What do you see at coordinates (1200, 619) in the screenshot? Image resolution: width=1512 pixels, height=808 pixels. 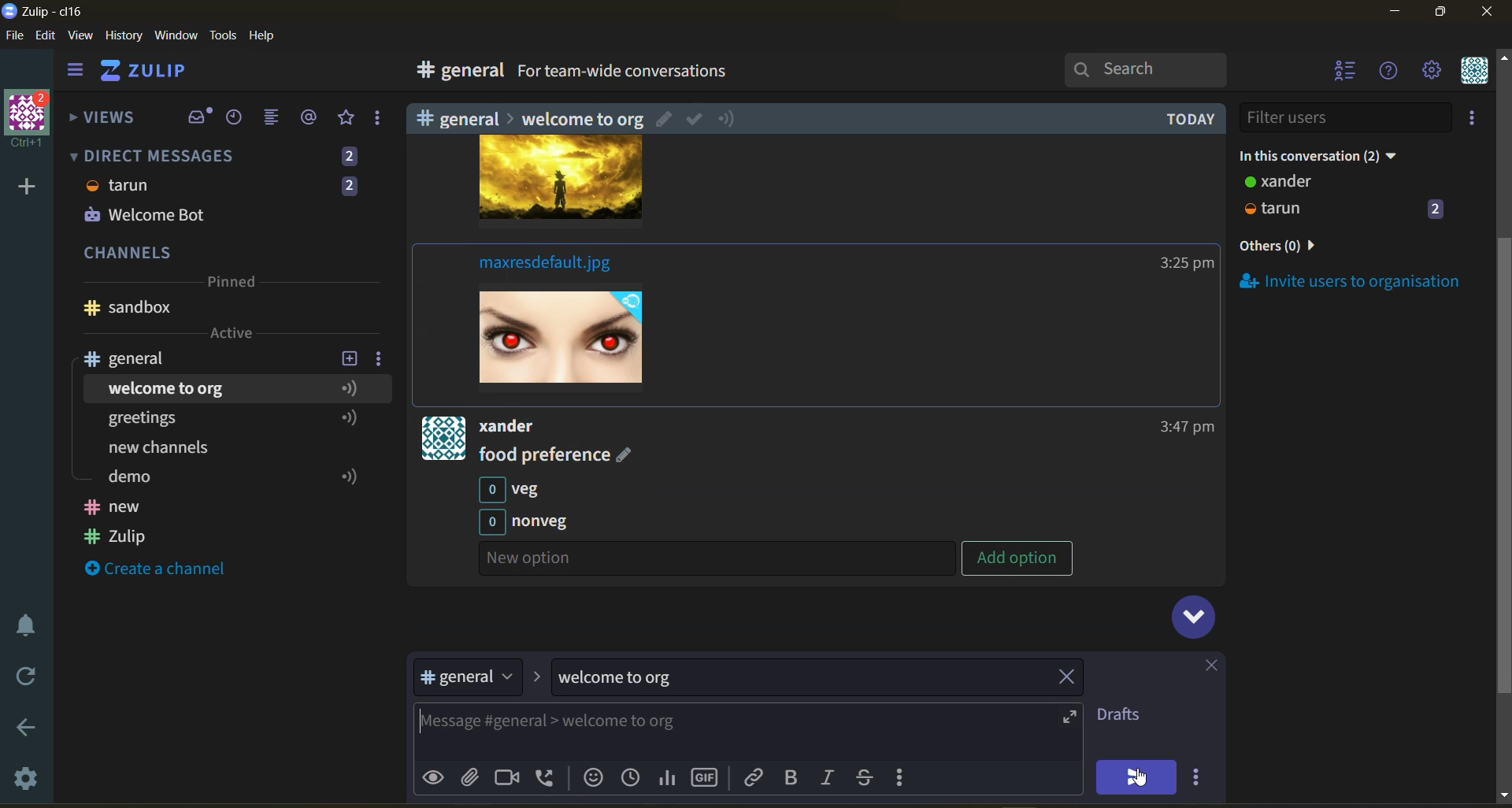 I see `scroll to bottom` at bounding box center [1200, 619].